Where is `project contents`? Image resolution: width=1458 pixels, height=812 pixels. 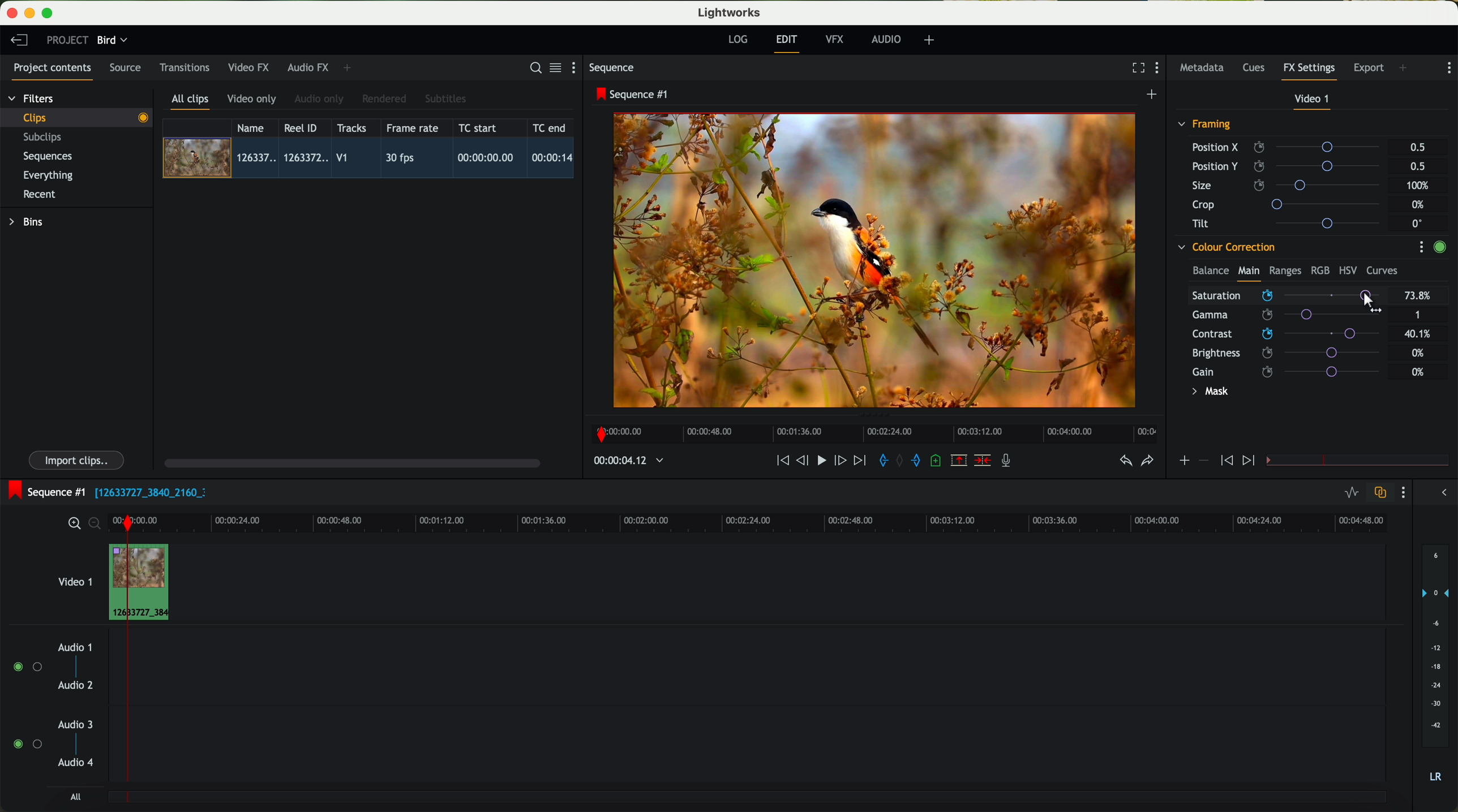
project contents is located at coordinates (53, 71).